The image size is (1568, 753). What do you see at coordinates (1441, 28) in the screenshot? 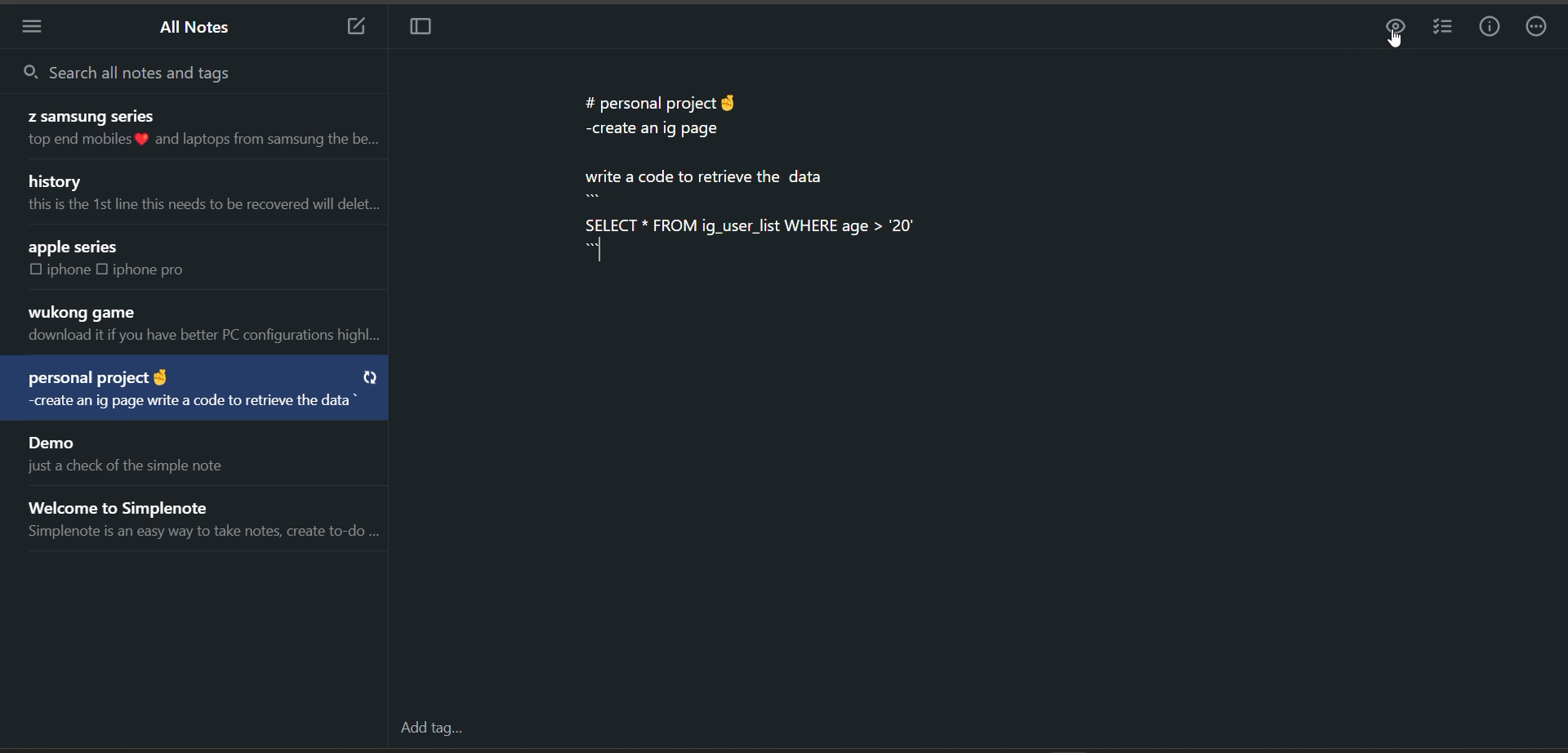
I see `insert checklist` at bounding box center [1441, 28].